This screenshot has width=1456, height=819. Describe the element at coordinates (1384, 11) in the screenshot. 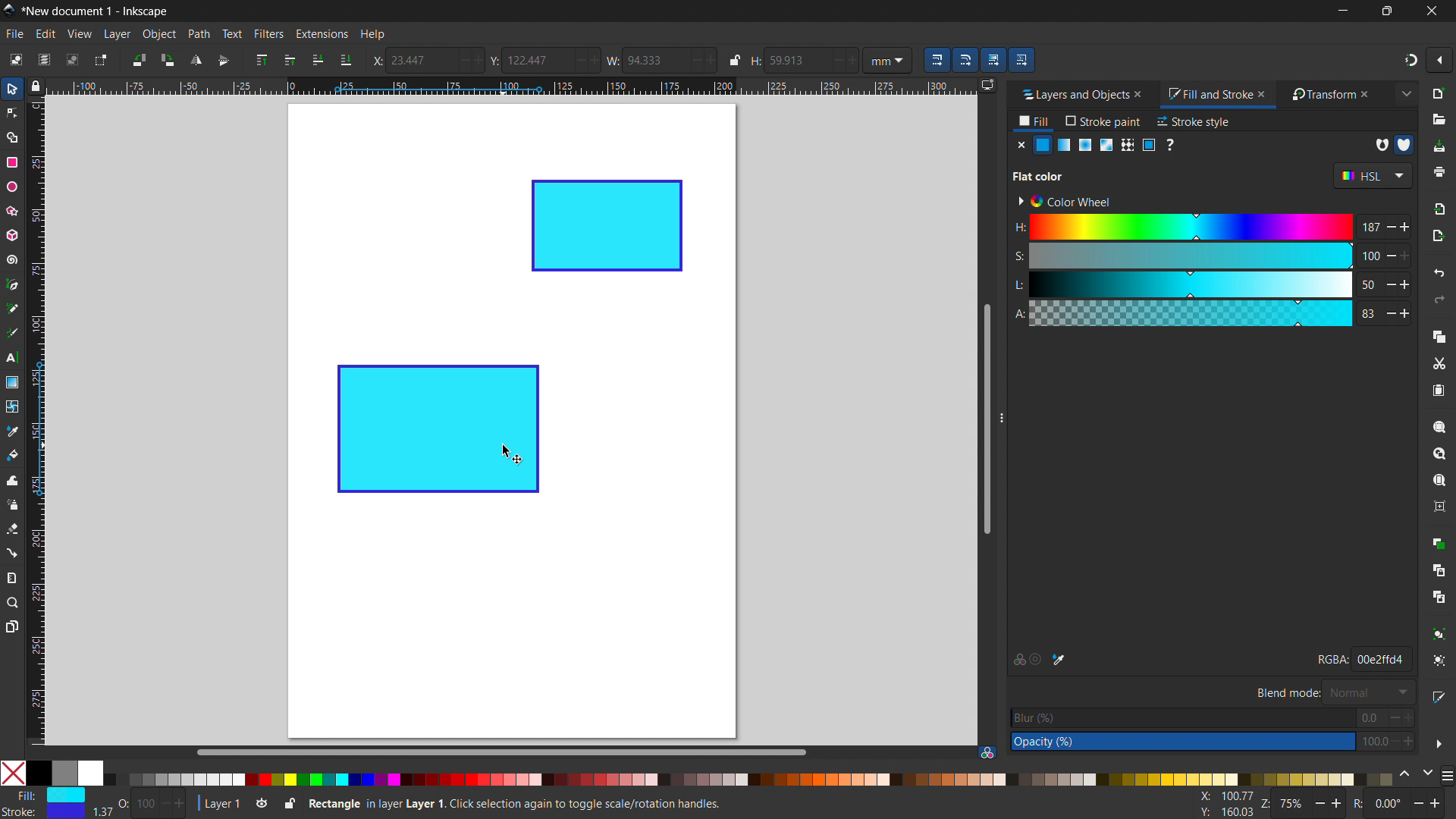

I see `maximize` at that location.